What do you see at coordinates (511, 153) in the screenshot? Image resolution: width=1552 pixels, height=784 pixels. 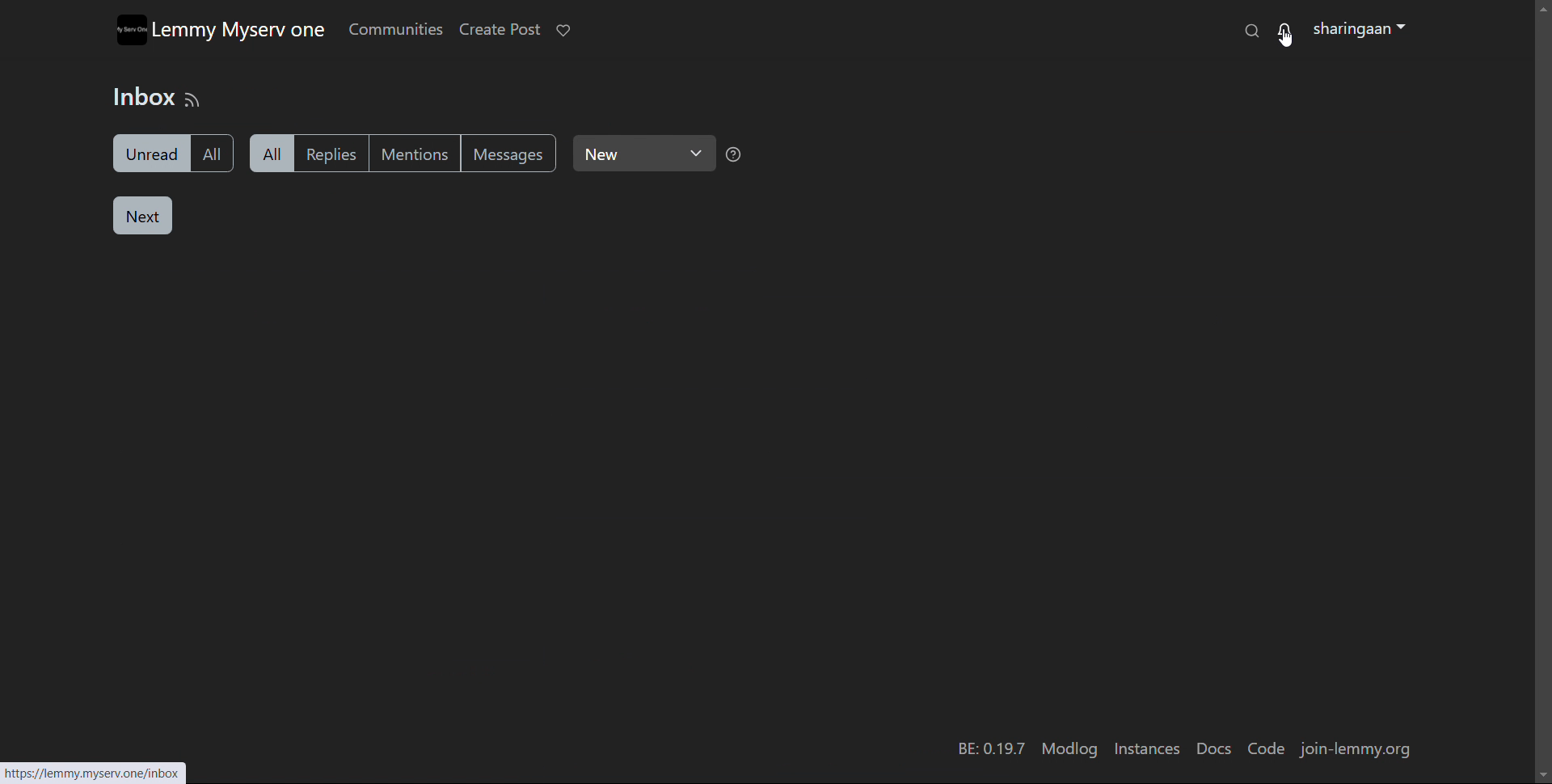 I see `messages` at bounding box center [511, 153].